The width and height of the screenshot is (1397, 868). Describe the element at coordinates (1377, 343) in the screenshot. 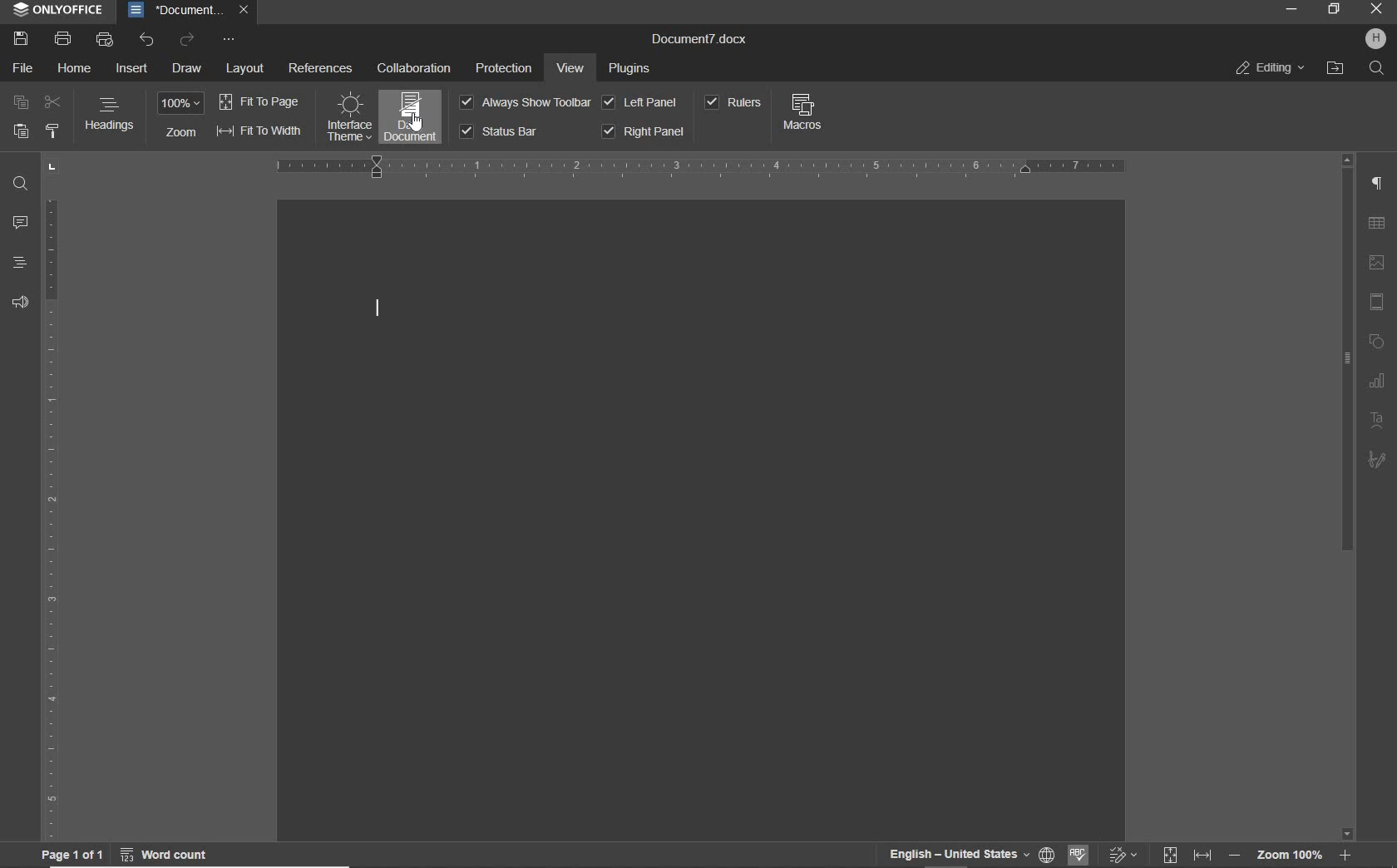

I see `SHAPE` at that location.